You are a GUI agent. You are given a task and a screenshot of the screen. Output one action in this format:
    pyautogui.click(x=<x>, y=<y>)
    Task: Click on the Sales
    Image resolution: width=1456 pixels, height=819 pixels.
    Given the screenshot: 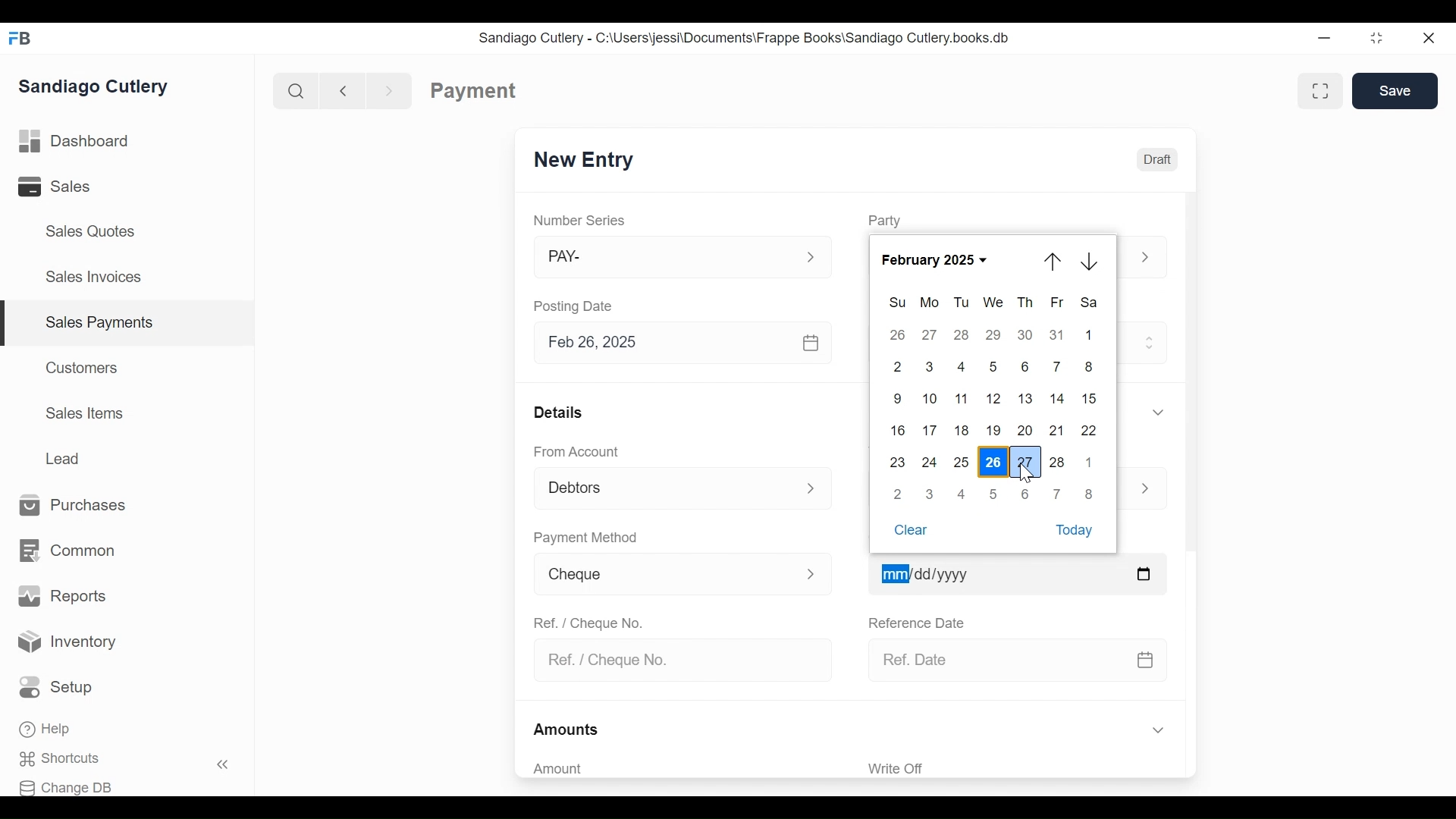 What is the action you would take?
    pyautogui.click(x=65, y=187)
    